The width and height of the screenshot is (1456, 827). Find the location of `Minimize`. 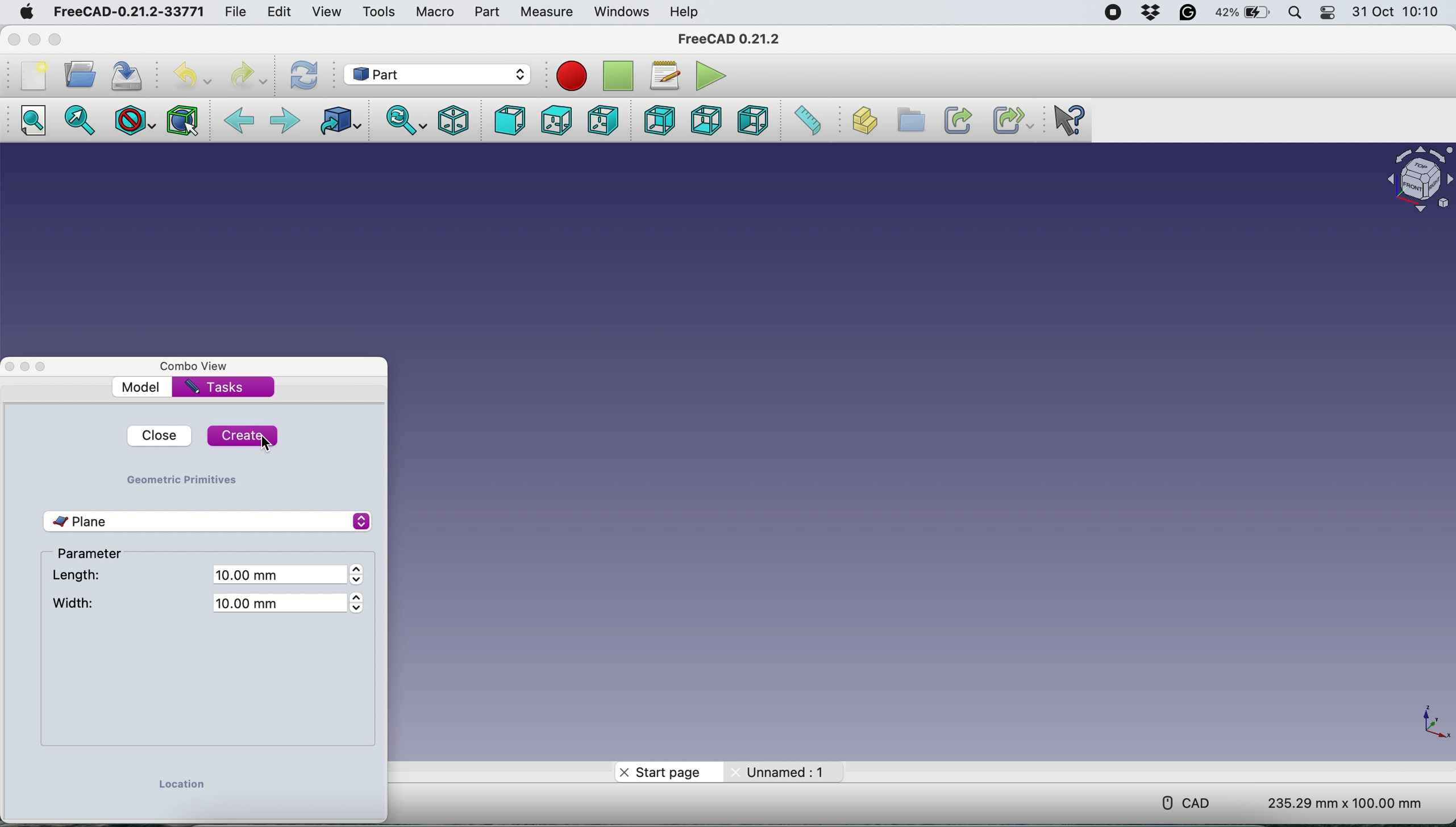

Minimize is located at coordinates (27, 365).